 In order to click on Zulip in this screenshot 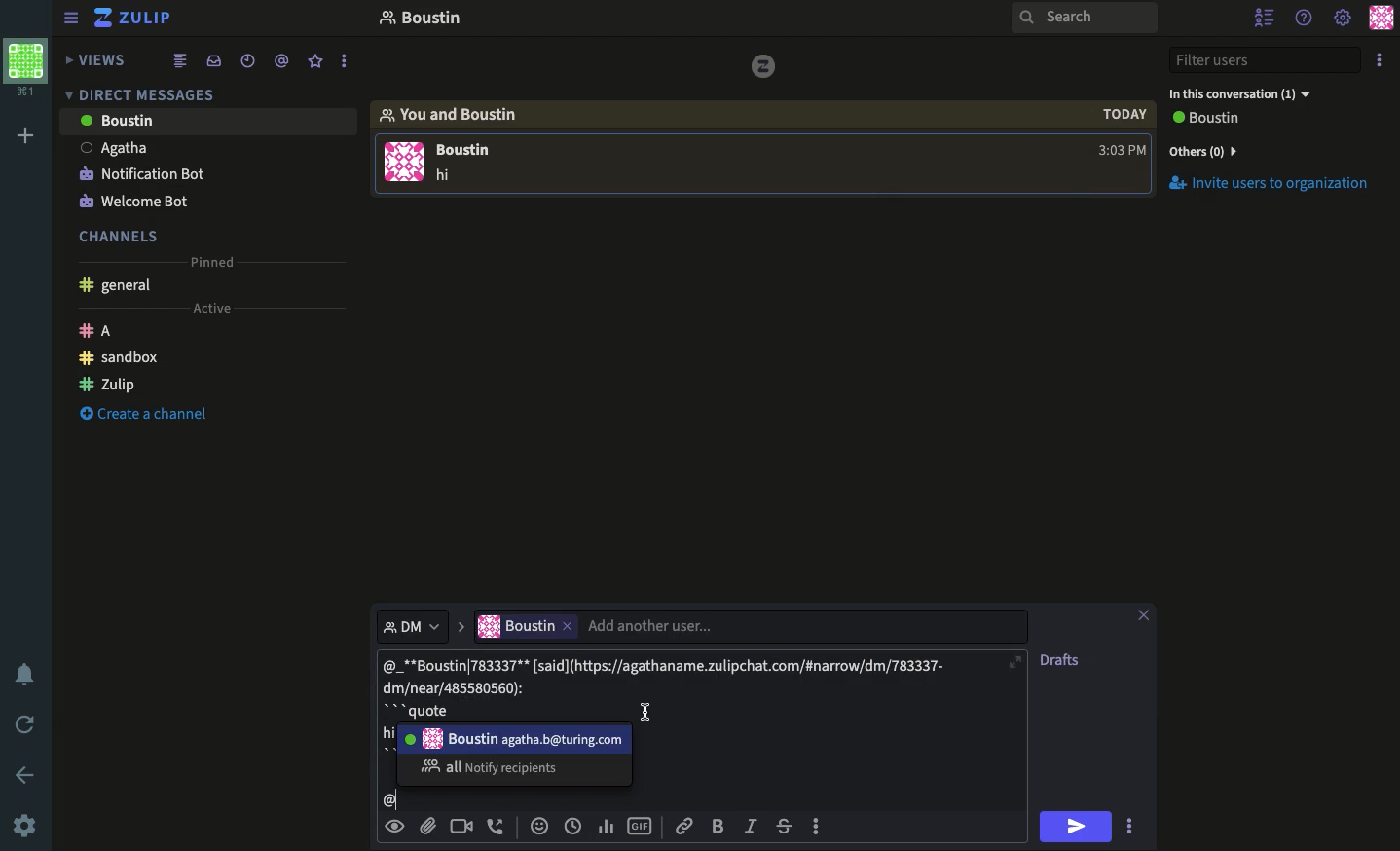, I will do `click(109, 383)`.